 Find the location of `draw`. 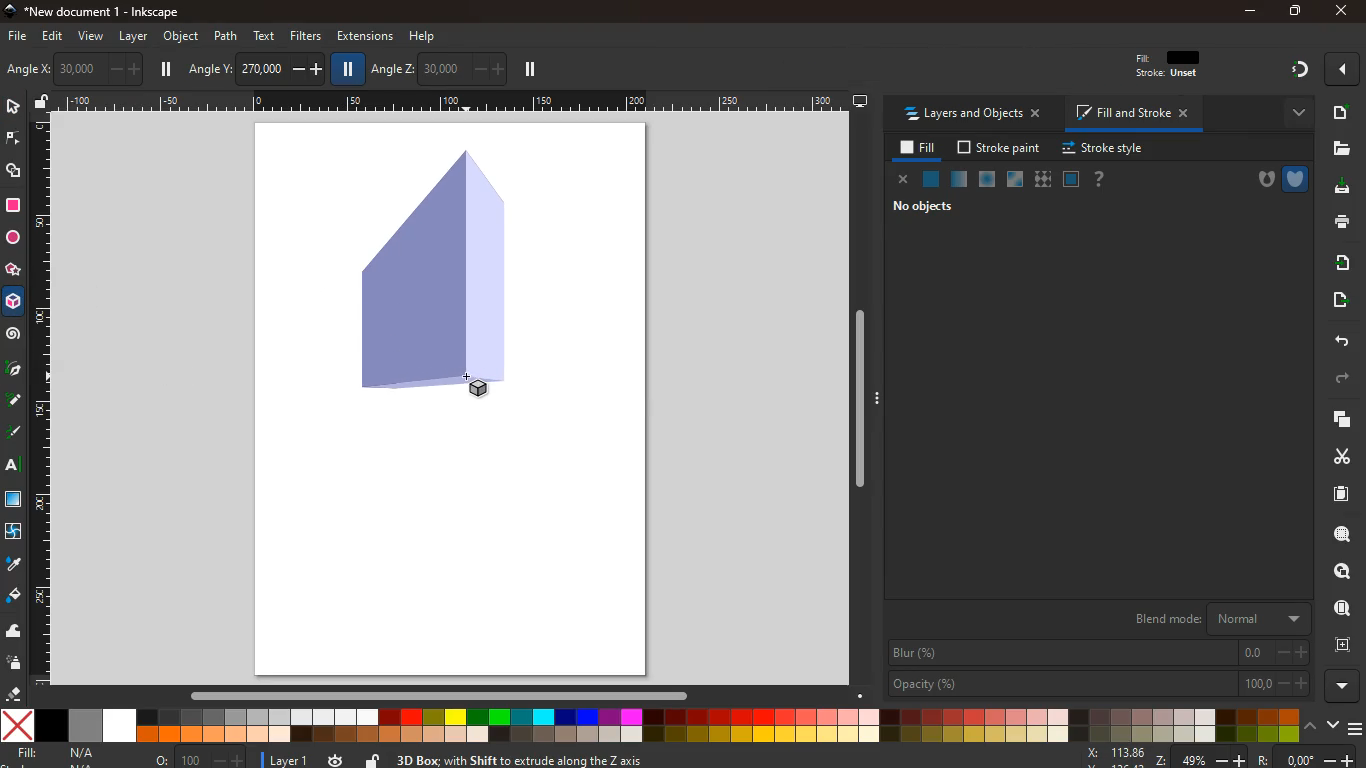

draw is located at coordinates (13, 404).